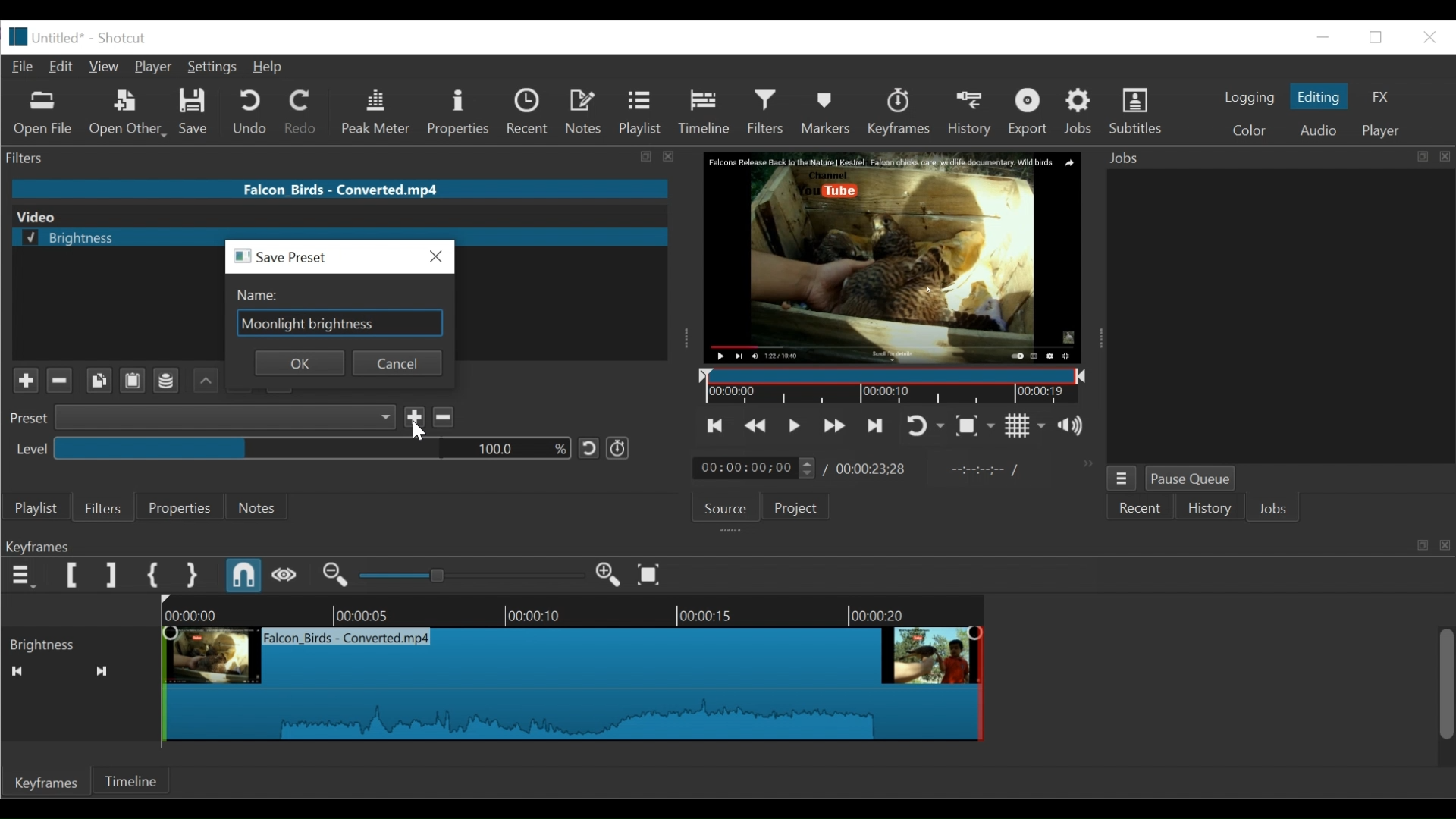  Describe the element at coordinates (103, 67) in the screenshot. I see `View` at that location.